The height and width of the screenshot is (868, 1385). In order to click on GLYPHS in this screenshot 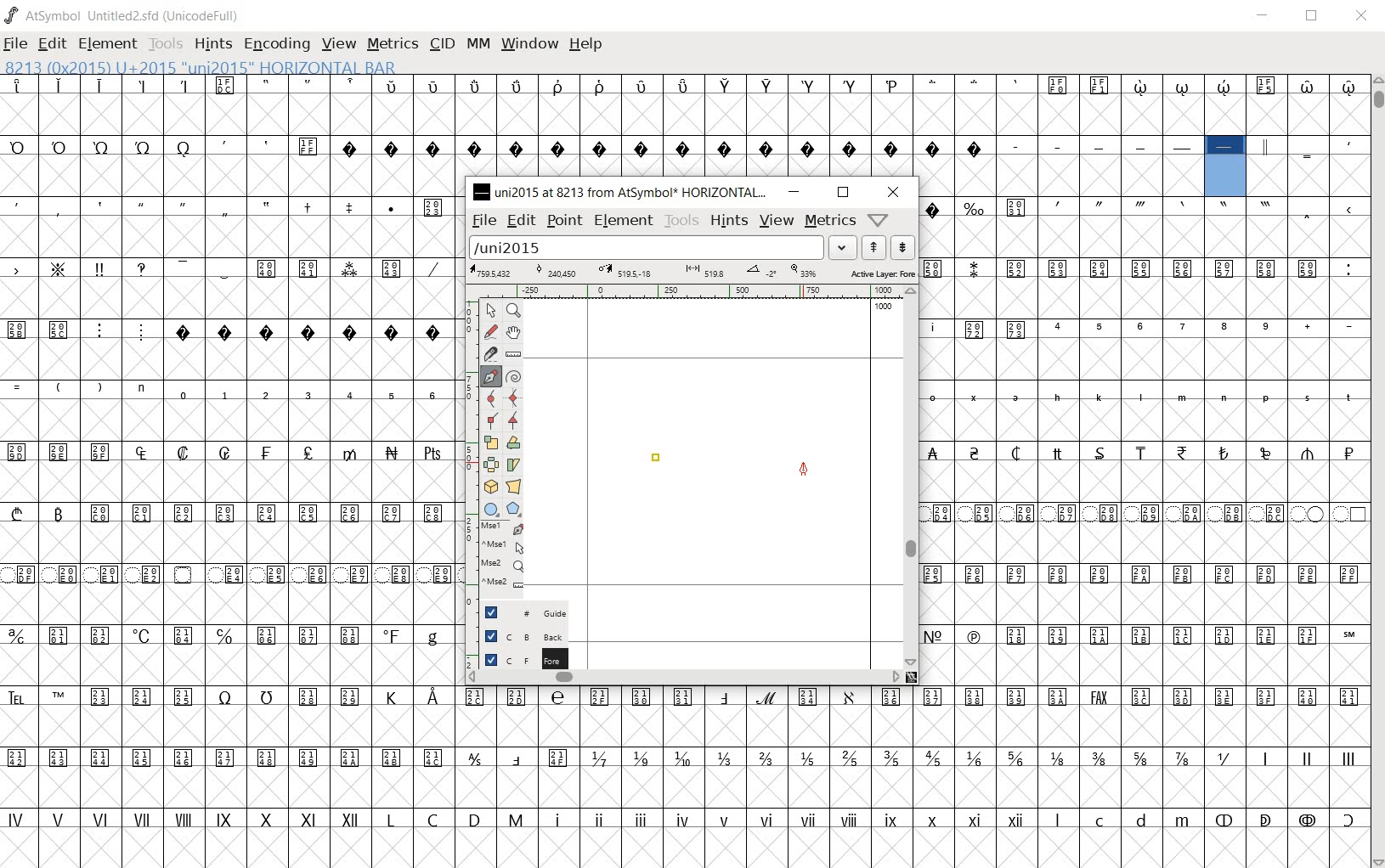, I will do `click(228, 470)`.